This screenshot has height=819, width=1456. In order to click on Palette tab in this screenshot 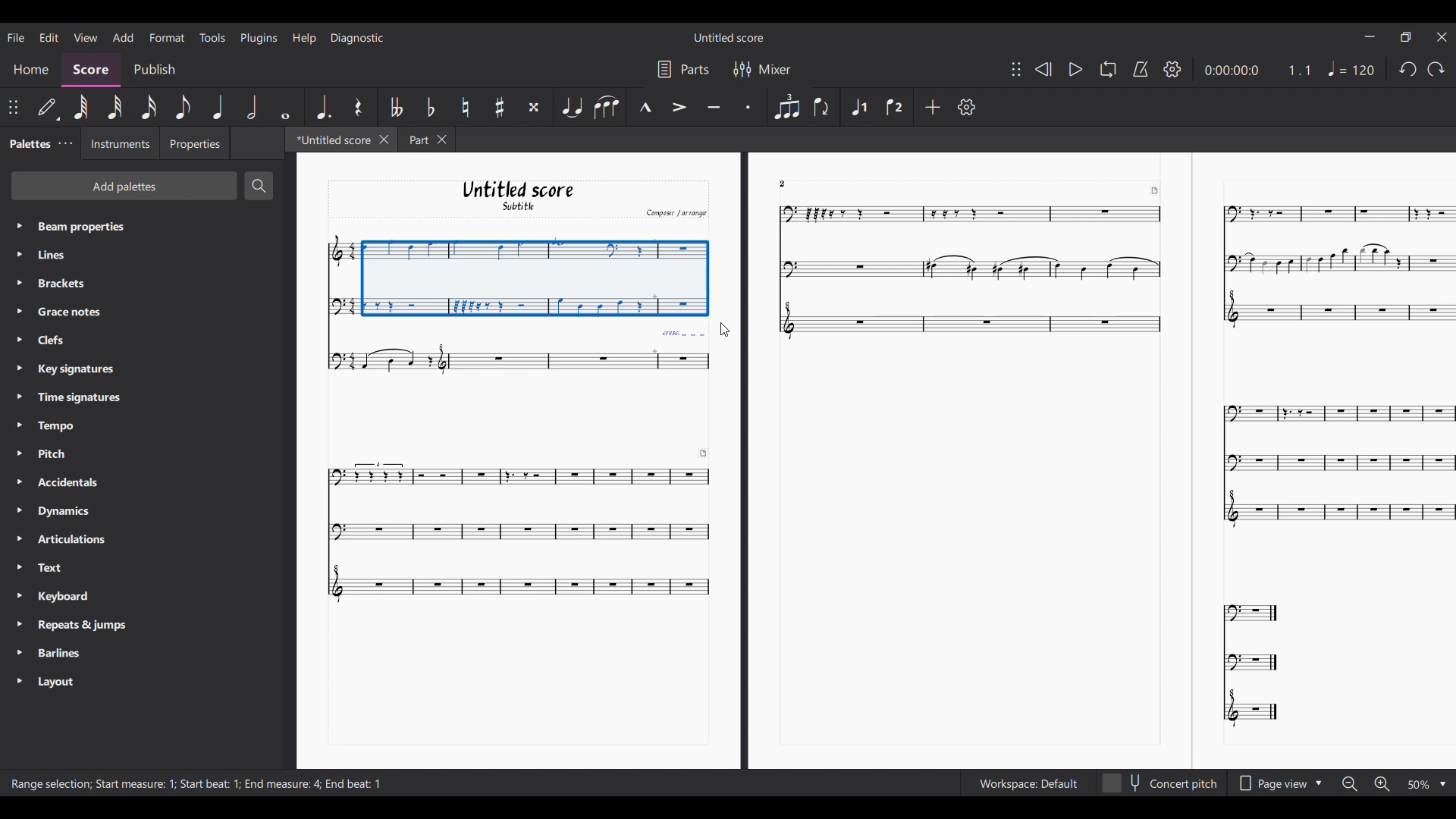, I will do `click(29, 143)`.